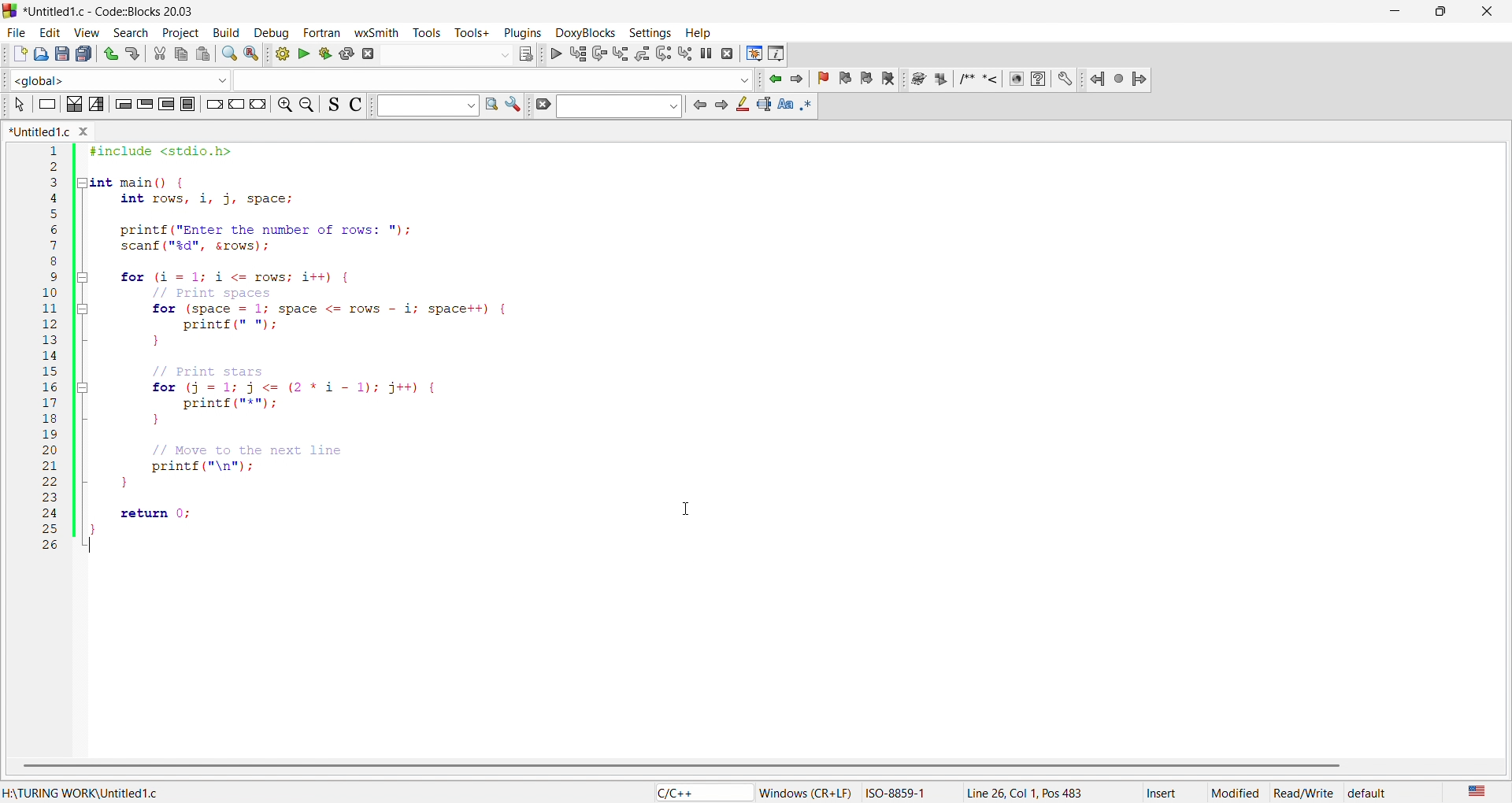 This screenshot has width=1512, height=803. Describe the element at coordinates (222, 31) in the screenshot. I see `build` at that location.